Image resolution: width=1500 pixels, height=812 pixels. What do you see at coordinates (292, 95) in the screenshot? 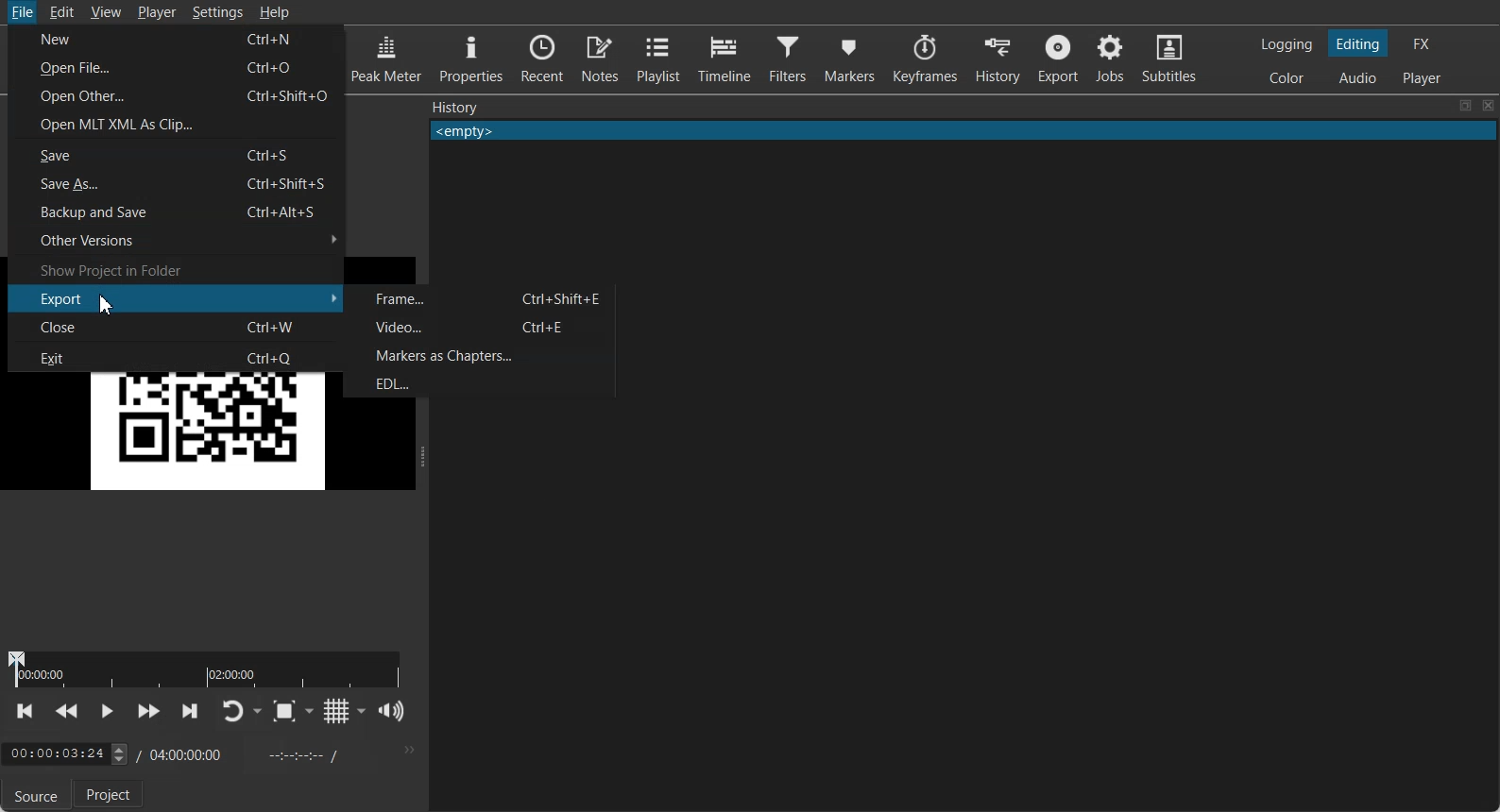
I see `Ctrl+Shift+O` at bounding box center [292, 95].